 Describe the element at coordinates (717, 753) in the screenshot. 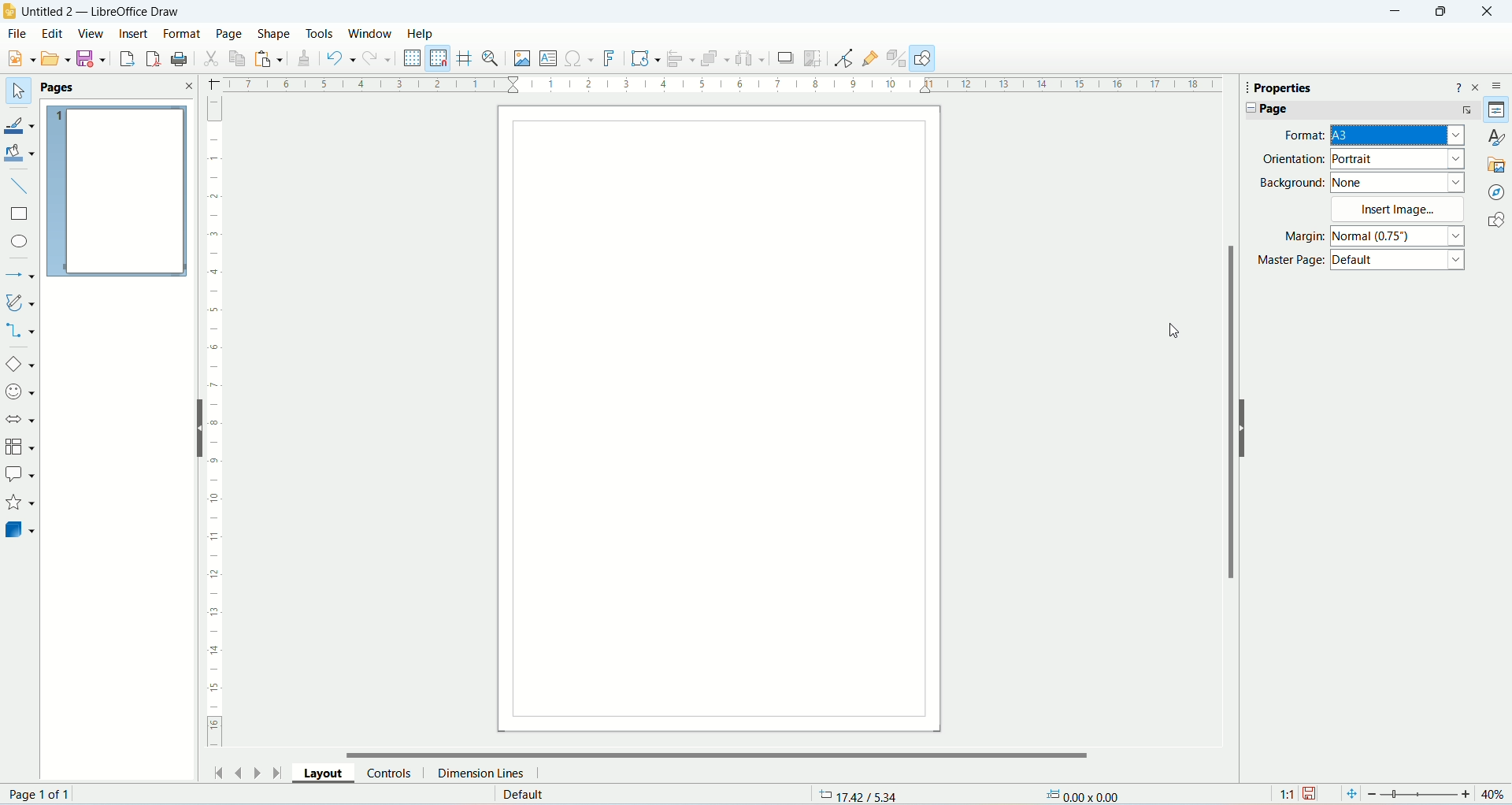

I see `horizontal scroll bar` at that location.